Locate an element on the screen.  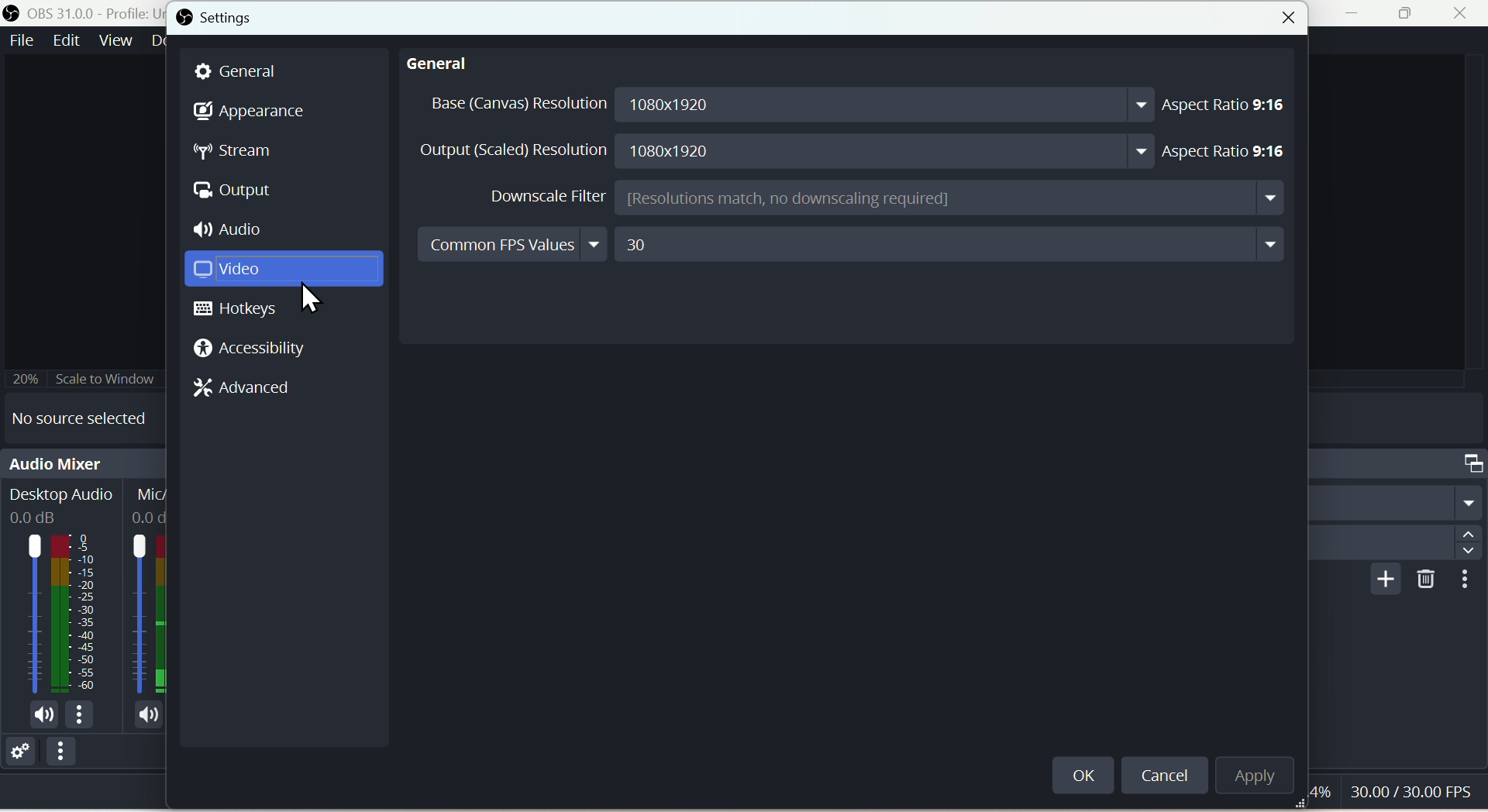
Add is located at coordinates (1381, 580).